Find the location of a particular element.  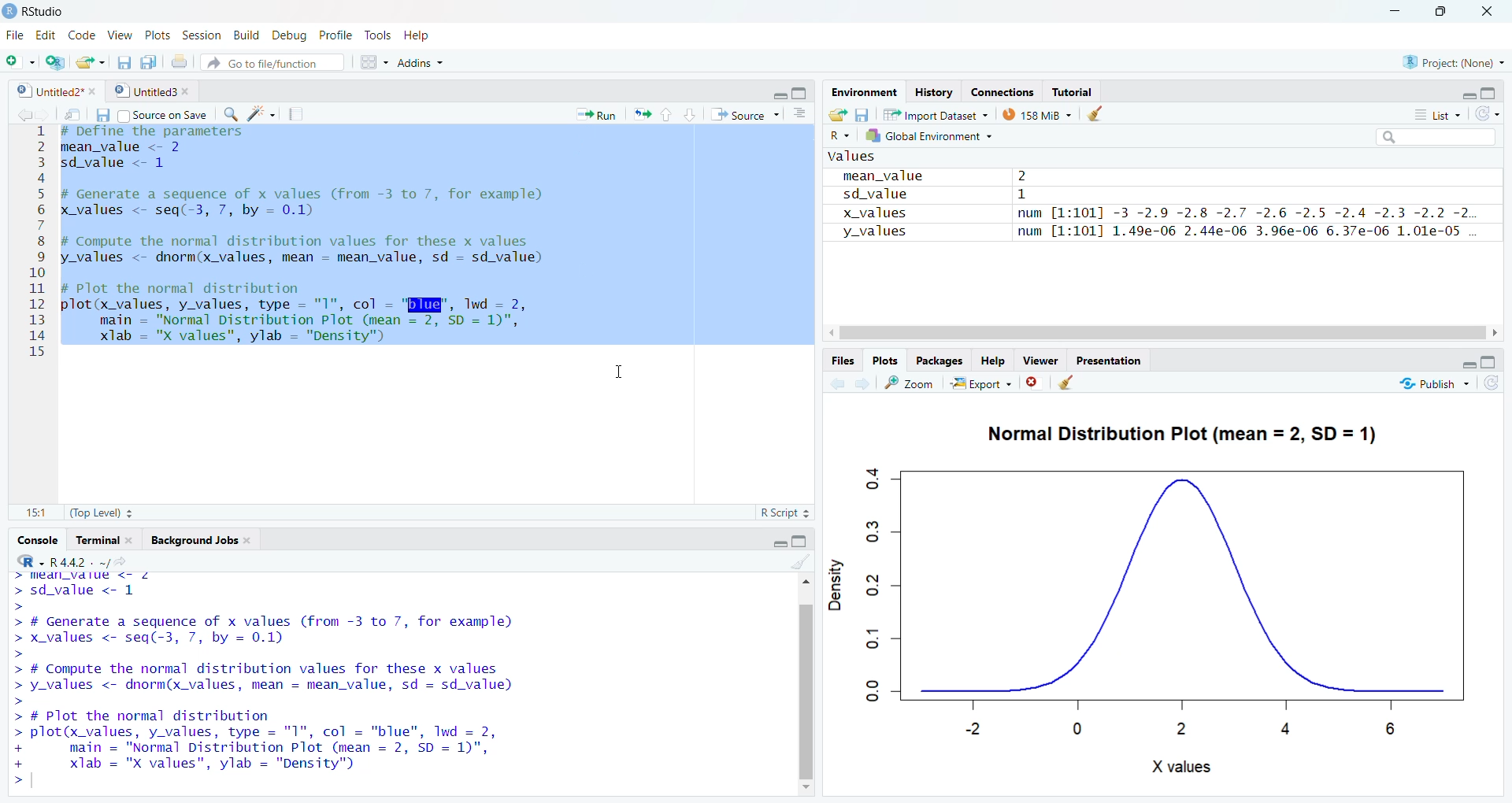

Presentation is located at coordinates (1116, 360).